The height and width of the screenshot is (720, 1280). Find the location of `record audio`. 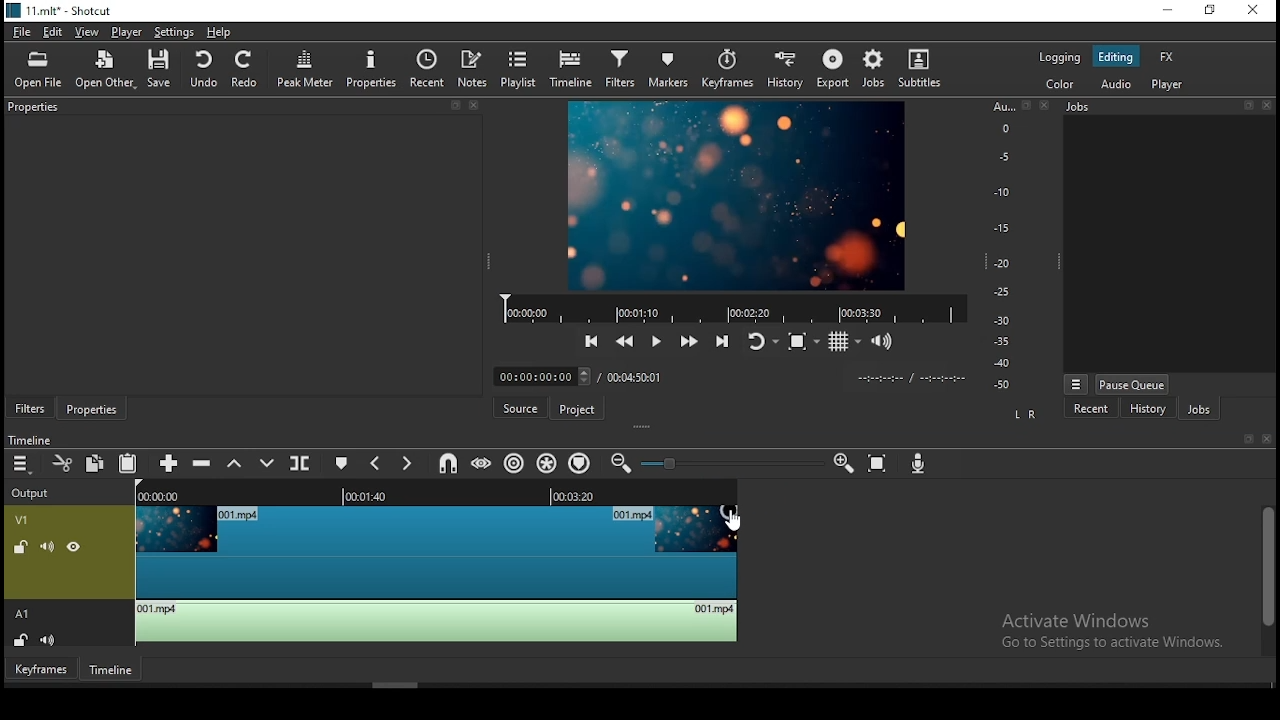

record audio is located at coordinates (919, 464).